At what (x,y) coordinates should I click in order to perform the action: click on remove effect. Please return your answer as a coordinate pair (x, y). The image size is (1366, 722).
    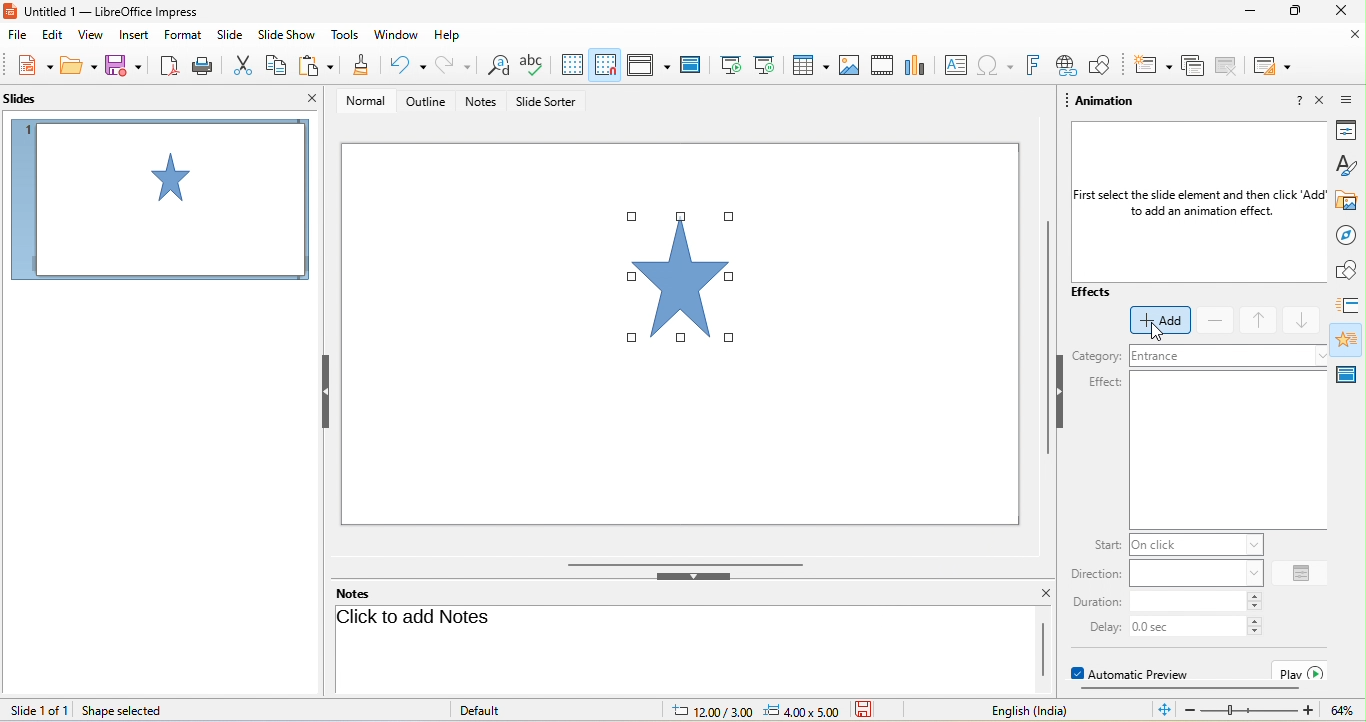
    Looking at the image, I should click on (1216, 319).